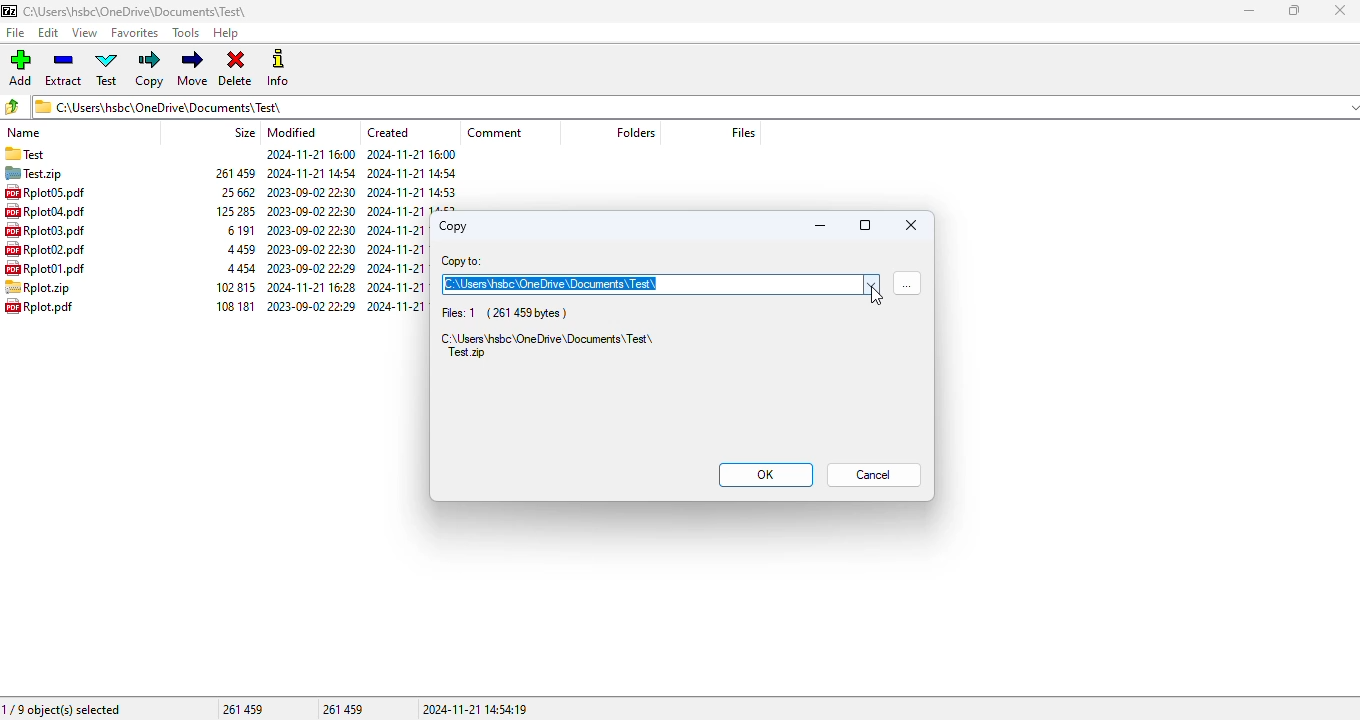  I want to click on cursor, so click(876, 297).